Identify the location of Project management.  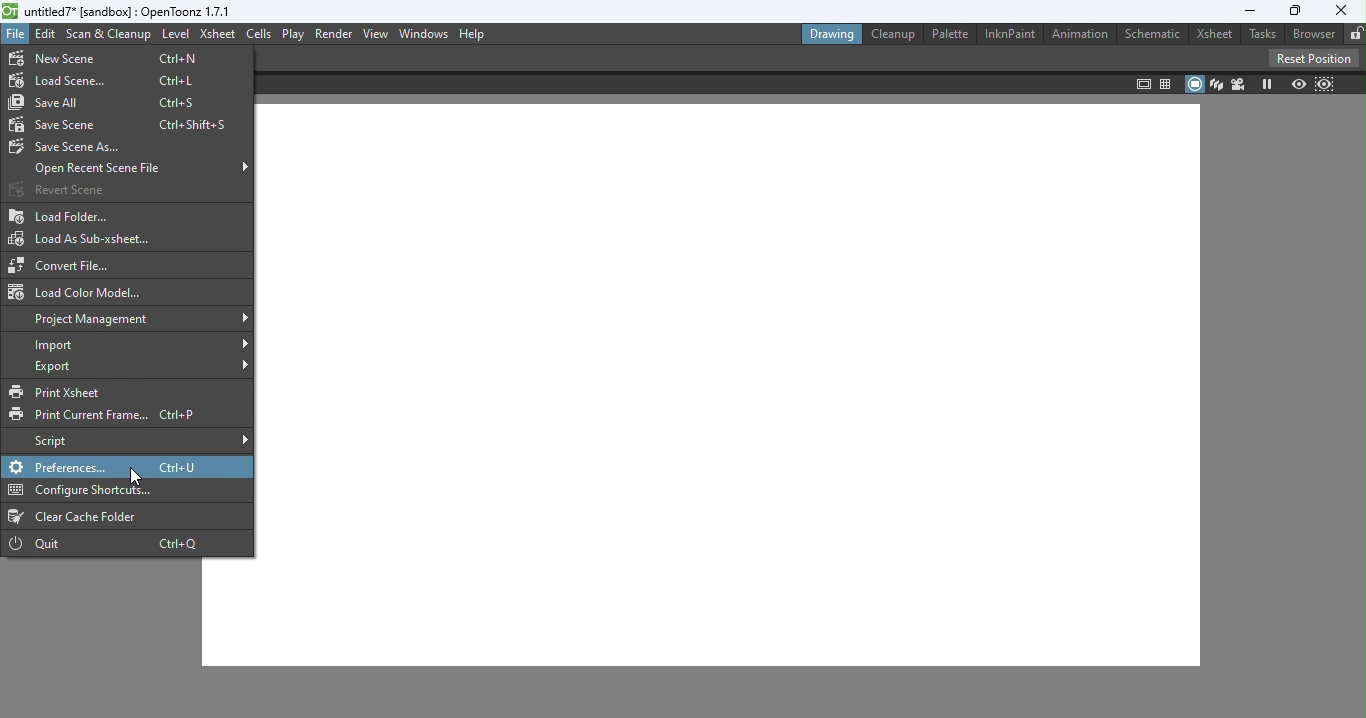
(132, 319).